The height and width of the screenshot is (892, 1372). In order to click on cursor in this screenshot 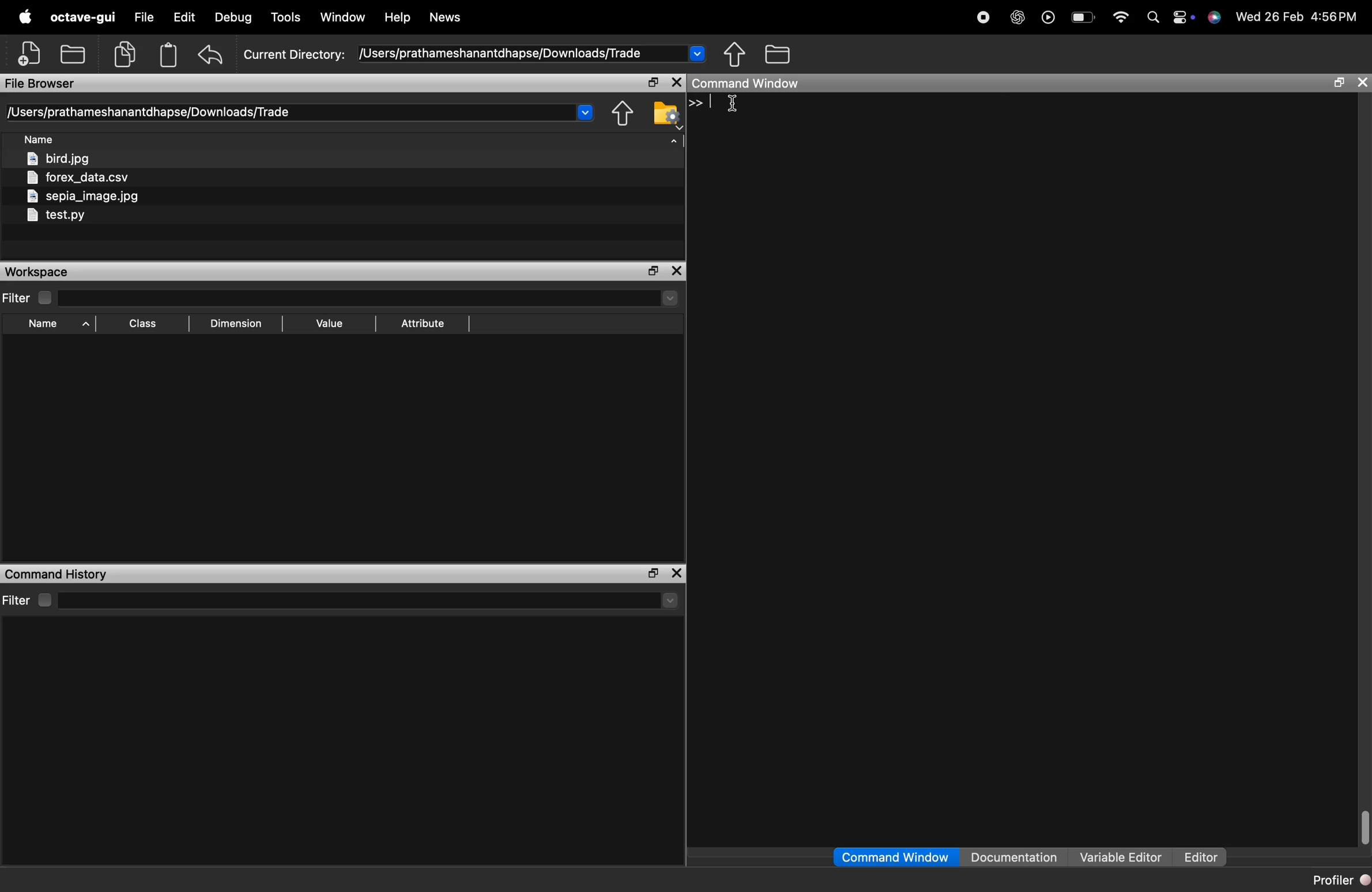, I will do `click(733, 103)`.